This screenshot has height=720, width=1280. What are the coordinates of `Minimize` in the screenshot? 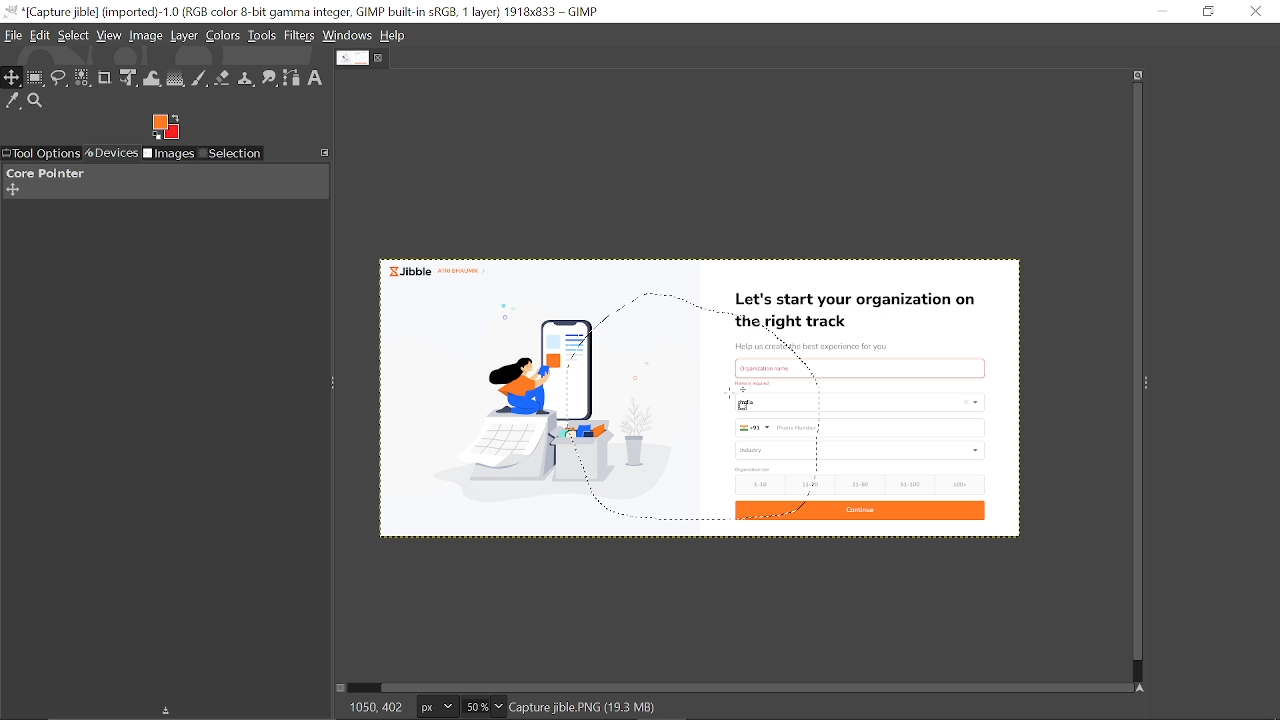 It's located at (1161, 10).